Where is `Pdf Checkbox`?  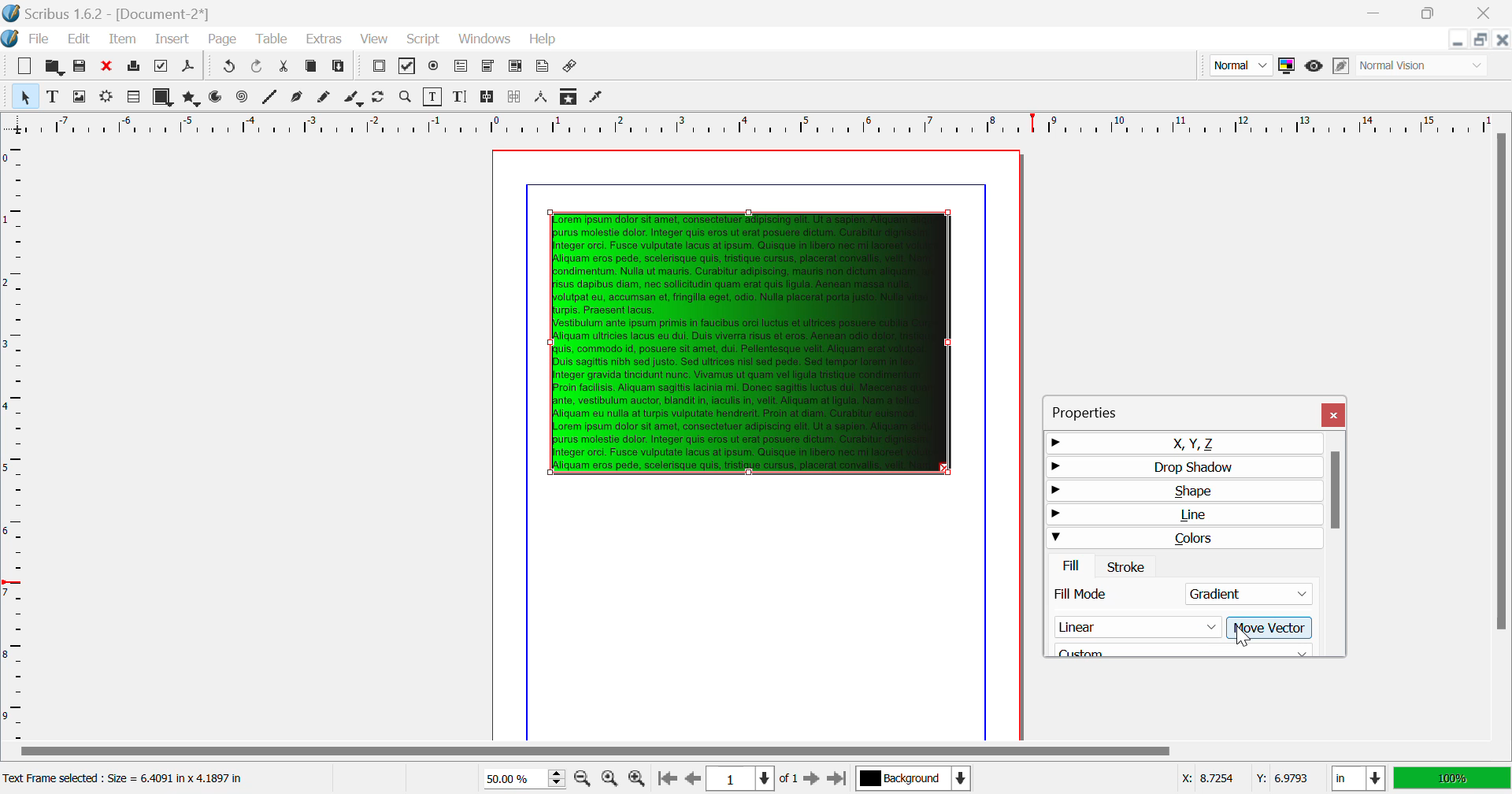 Pdf Checkbox is located at coordinates (408, 69).